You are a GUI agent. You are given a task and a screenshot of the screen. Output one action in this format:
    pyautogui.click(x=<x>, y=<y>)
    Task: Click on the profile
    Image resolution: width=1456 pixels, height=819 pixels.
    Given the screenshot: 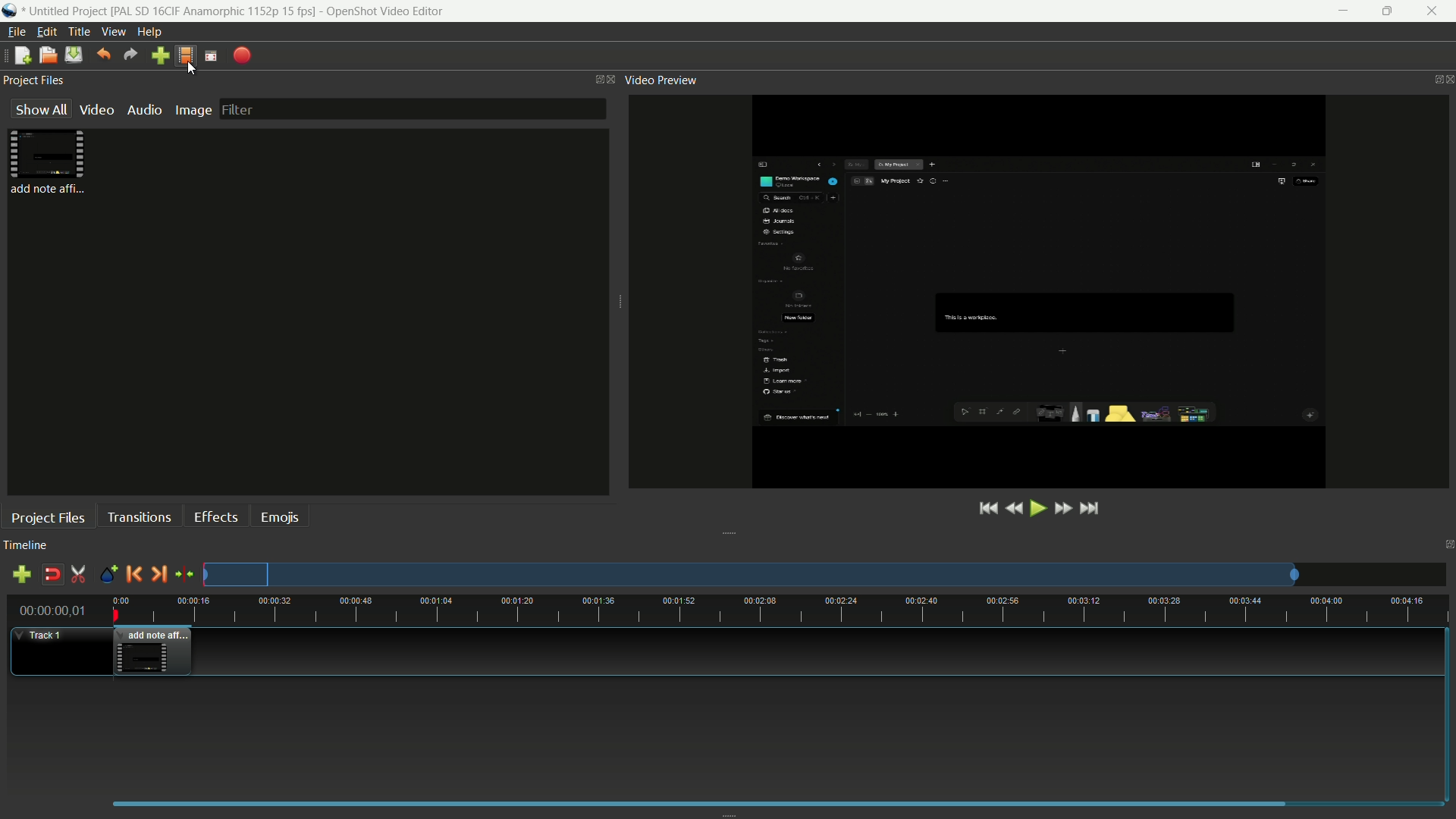 What is the action you would take?
    pyautogui.click(x=187, y=55)
    